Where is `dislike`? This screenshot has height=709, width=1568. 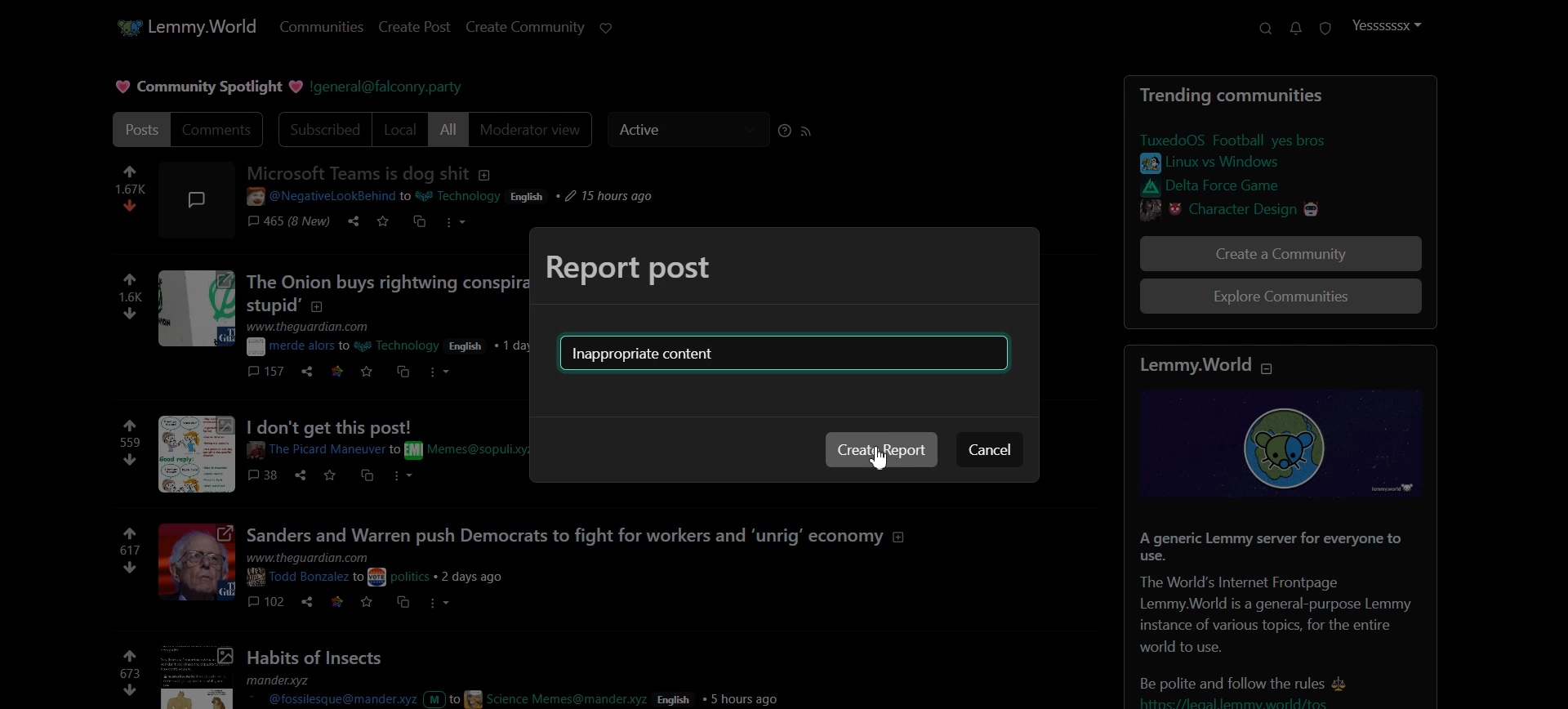 dislike is located at coordinates (132, 205).